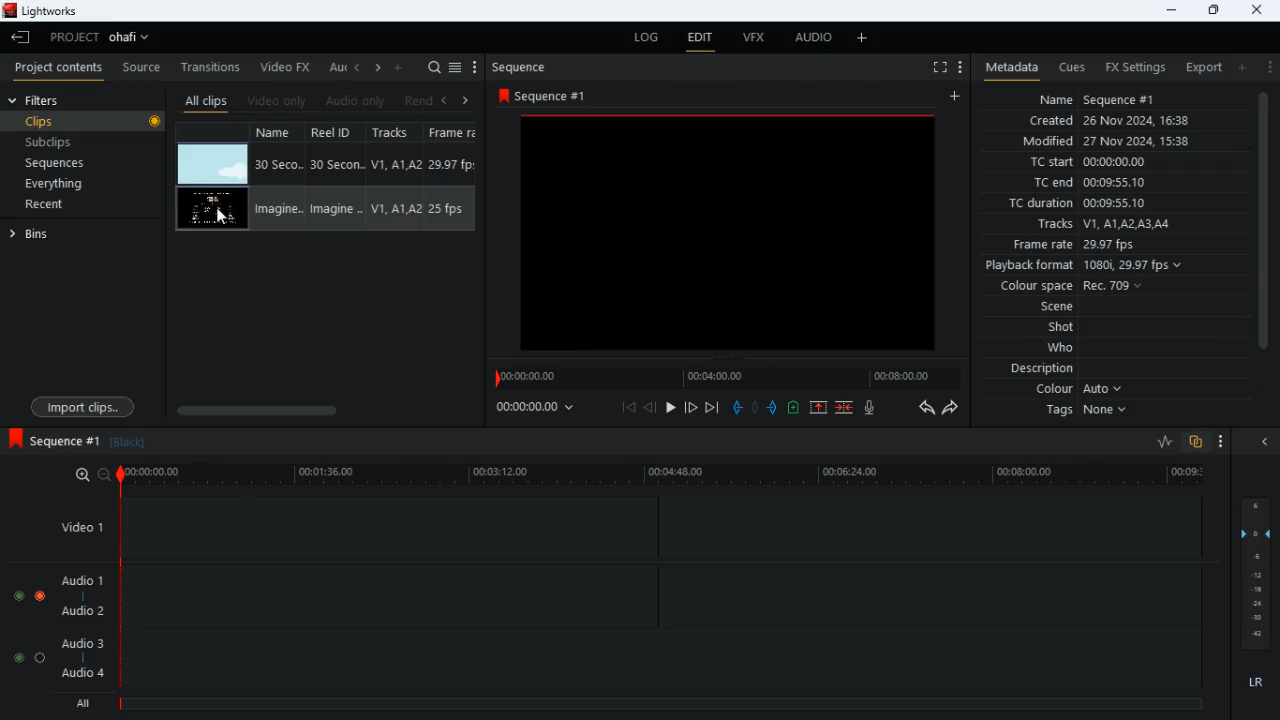 The height and width of the screenshot is (720, 1280). What do you see at coordinates (80, 703) in the screenshot?
I see `all` at bounding box center [80, 703].